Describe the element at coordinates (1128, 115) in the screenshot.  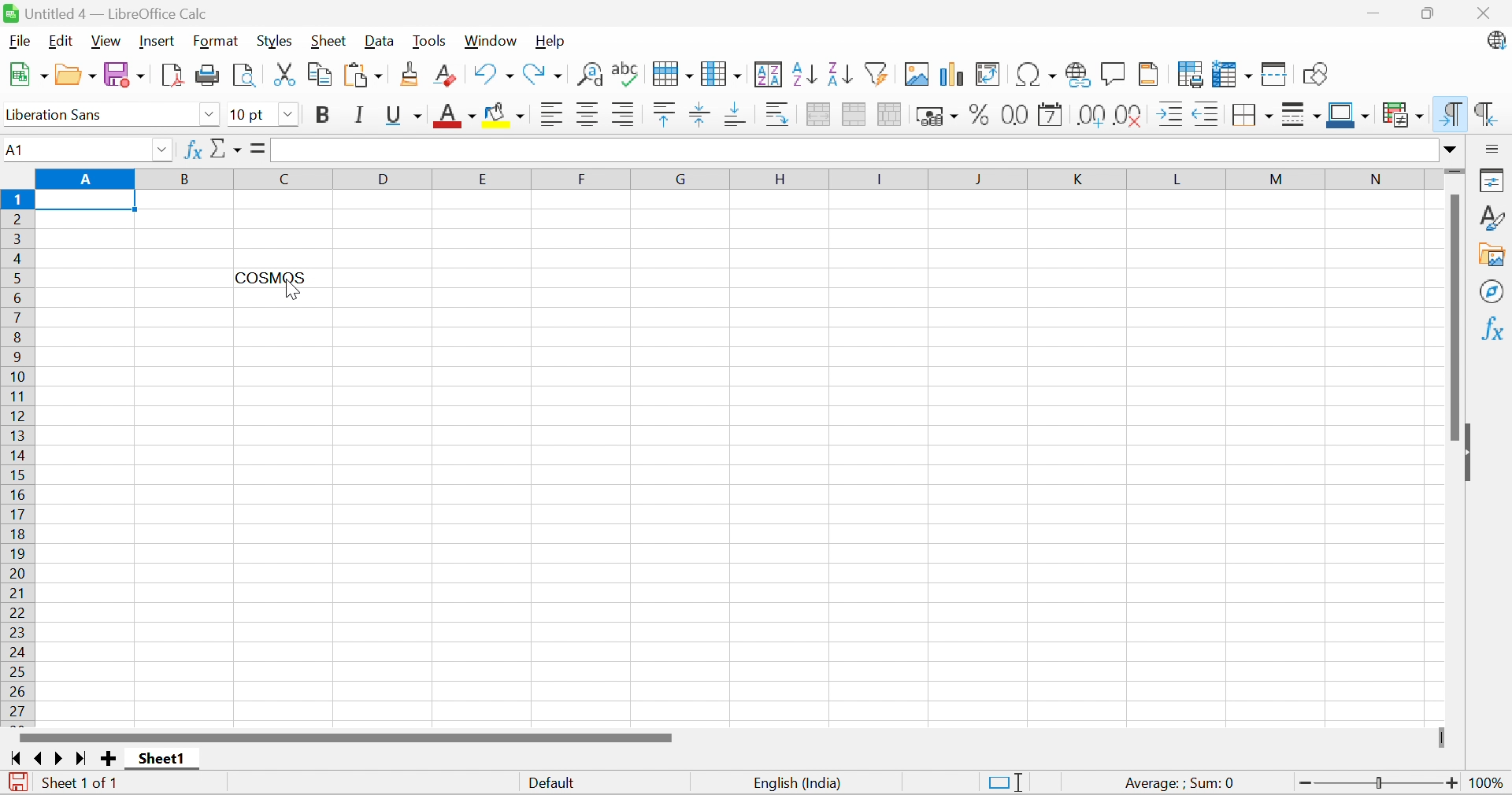
I see `Remove Decimal Place` at that location.